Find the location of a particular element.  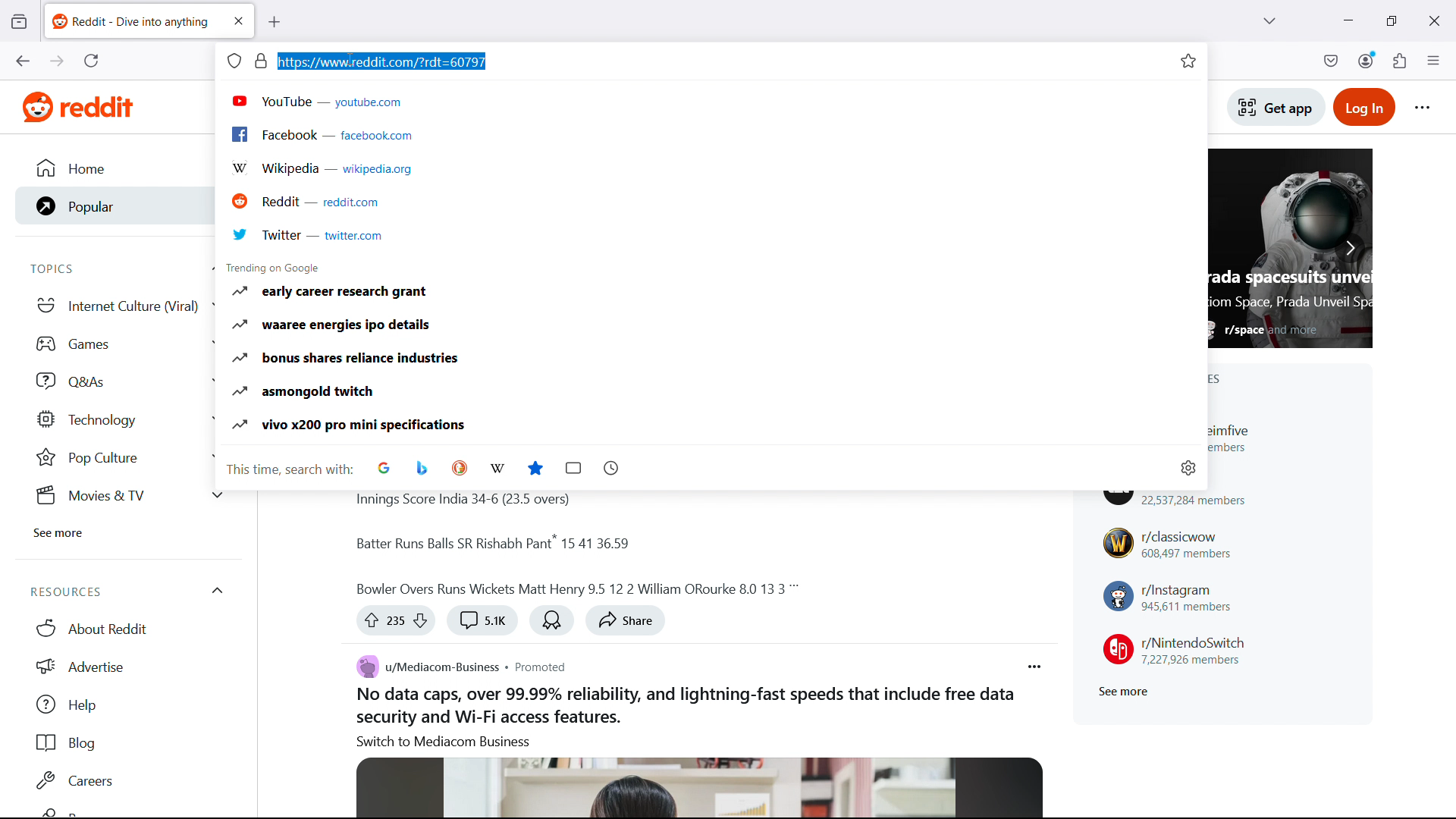

See more is located at coordinates (1122, 692).